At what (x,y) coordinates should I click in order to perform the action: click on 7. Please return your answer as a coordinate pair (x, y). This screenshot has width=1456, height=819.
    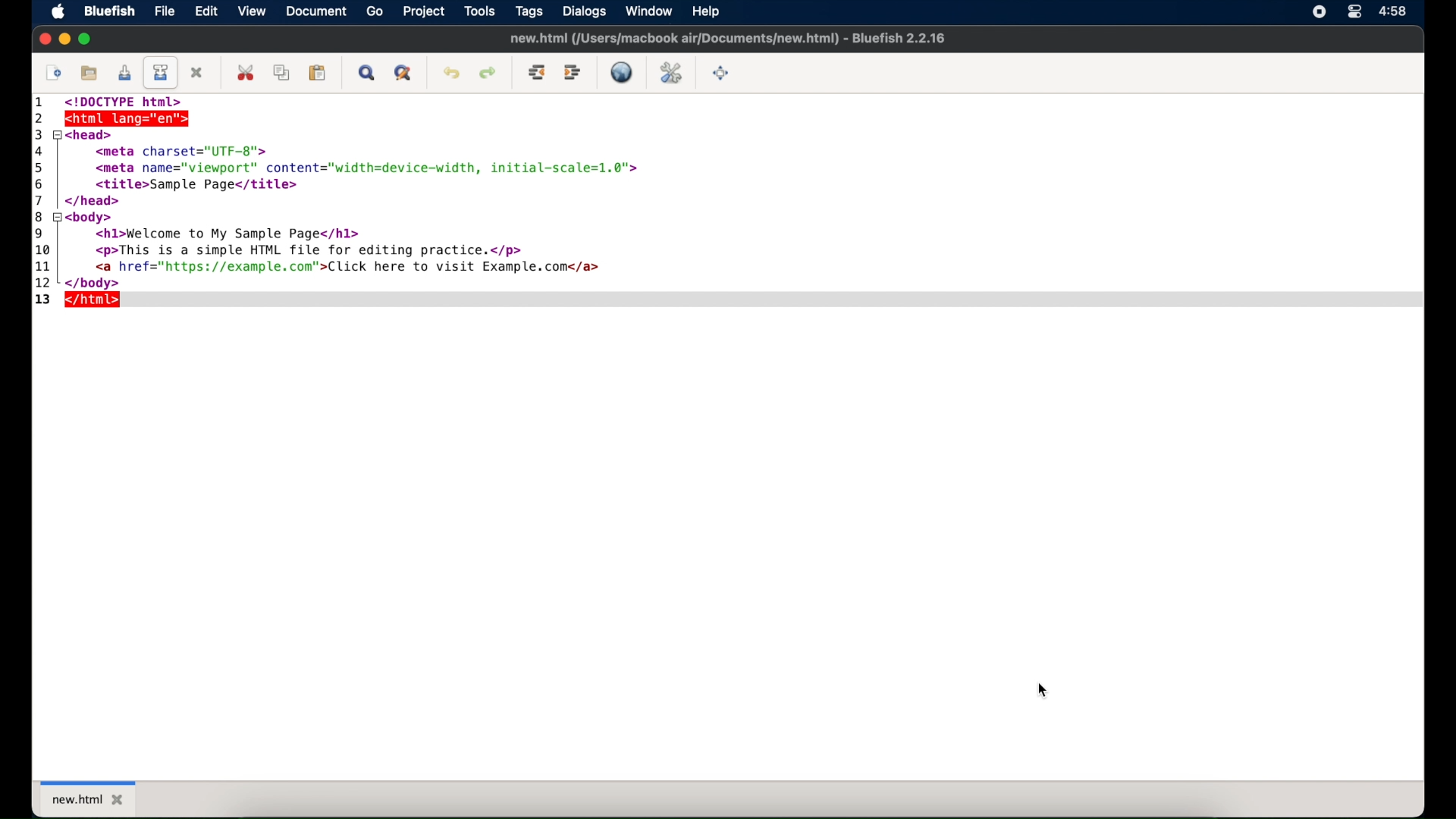
    Looking at the image, I should click on (42, 199).